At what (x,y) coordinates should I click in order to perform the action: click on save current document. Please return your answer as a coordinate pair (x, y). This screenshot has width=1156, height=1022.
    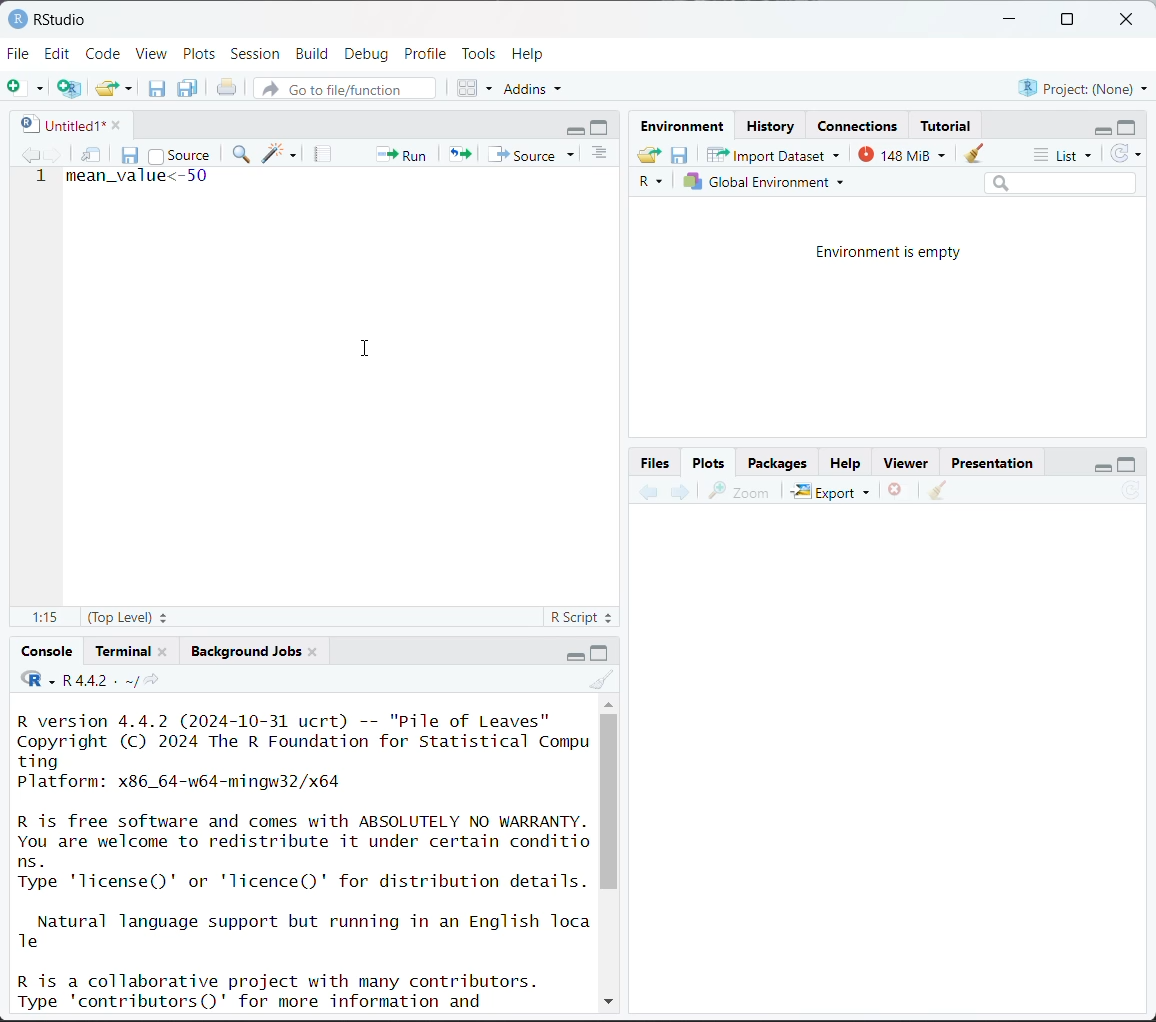
    Looking at the image, I should click on (157, 88).